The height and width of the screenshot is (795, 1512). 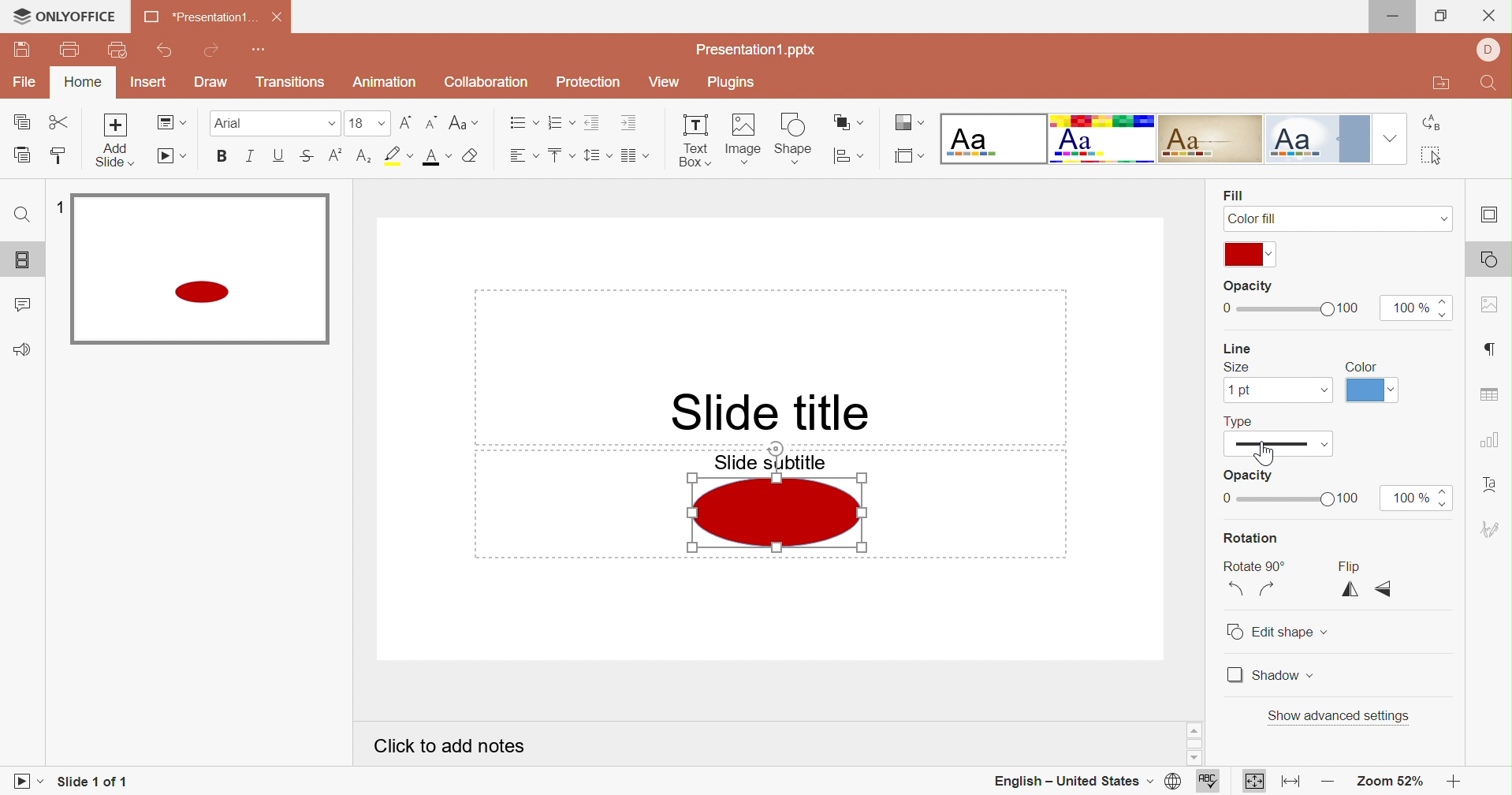 What do you see at coordinates (23, 51) in the screenshot?
I see `Save` at bounding box center [23, 51].